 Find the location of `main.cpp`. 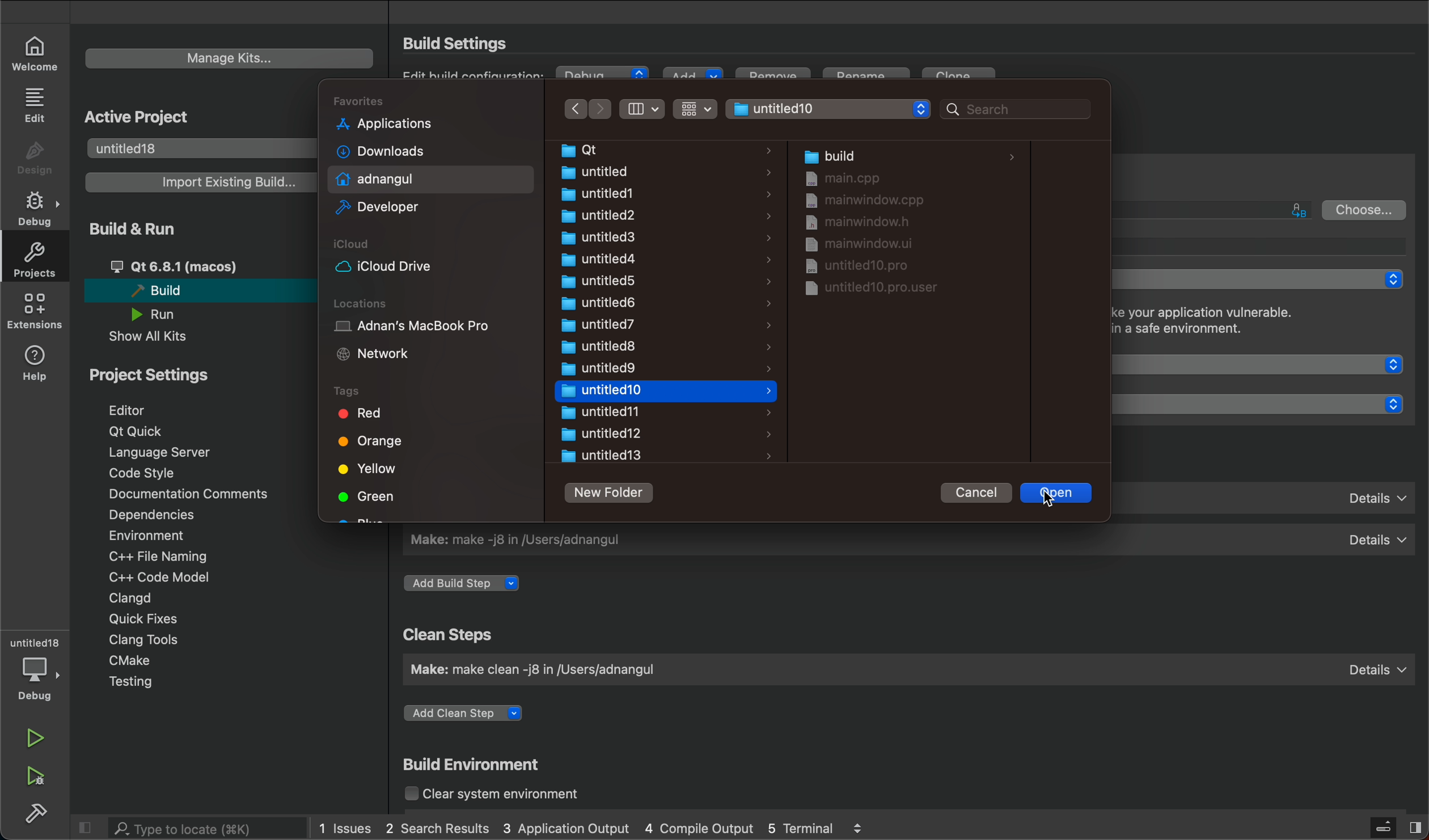

main.cpp is located at coordinates (839, 177).